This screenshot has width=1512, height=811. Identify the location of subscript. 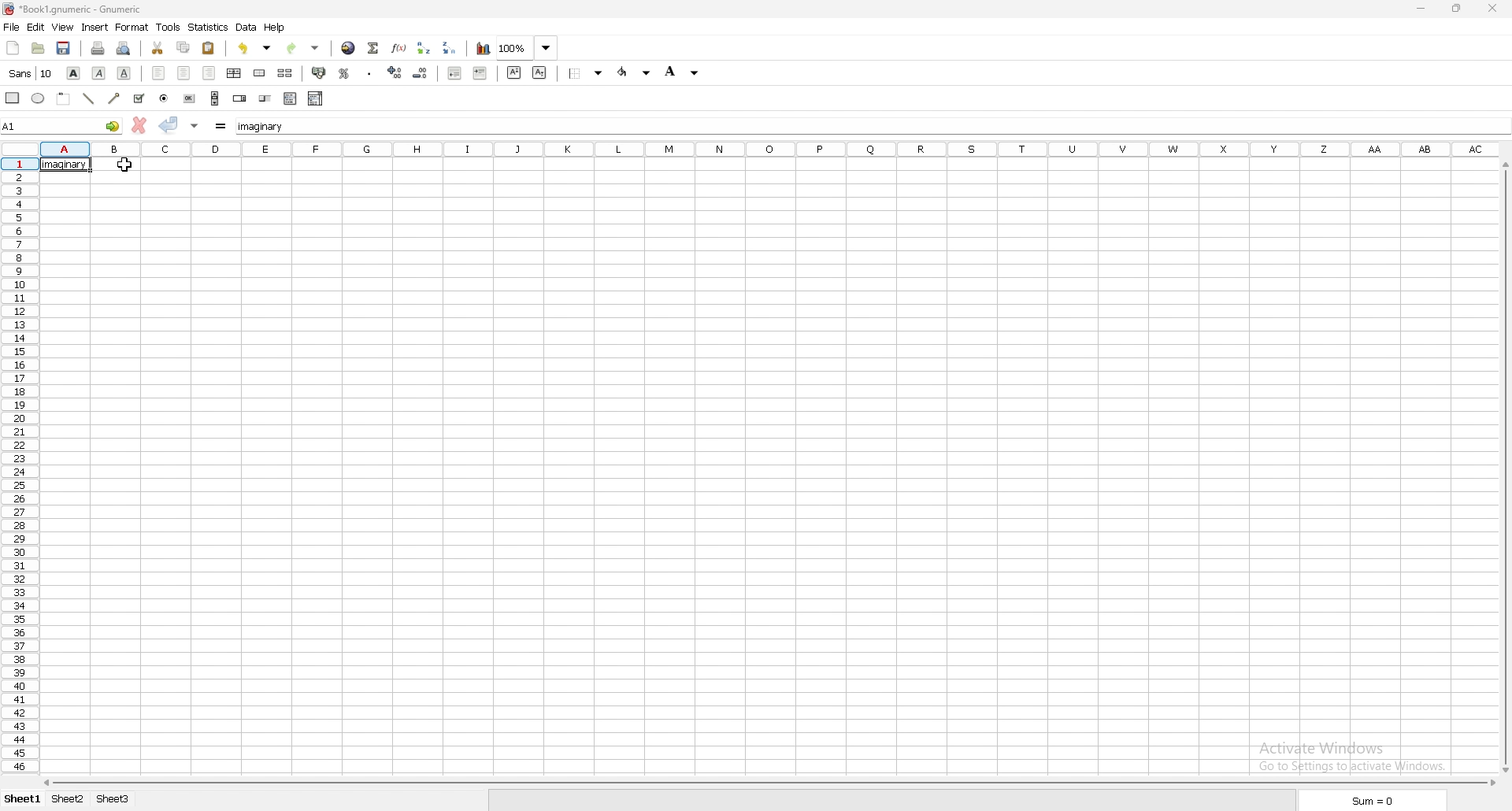
(542, 72).